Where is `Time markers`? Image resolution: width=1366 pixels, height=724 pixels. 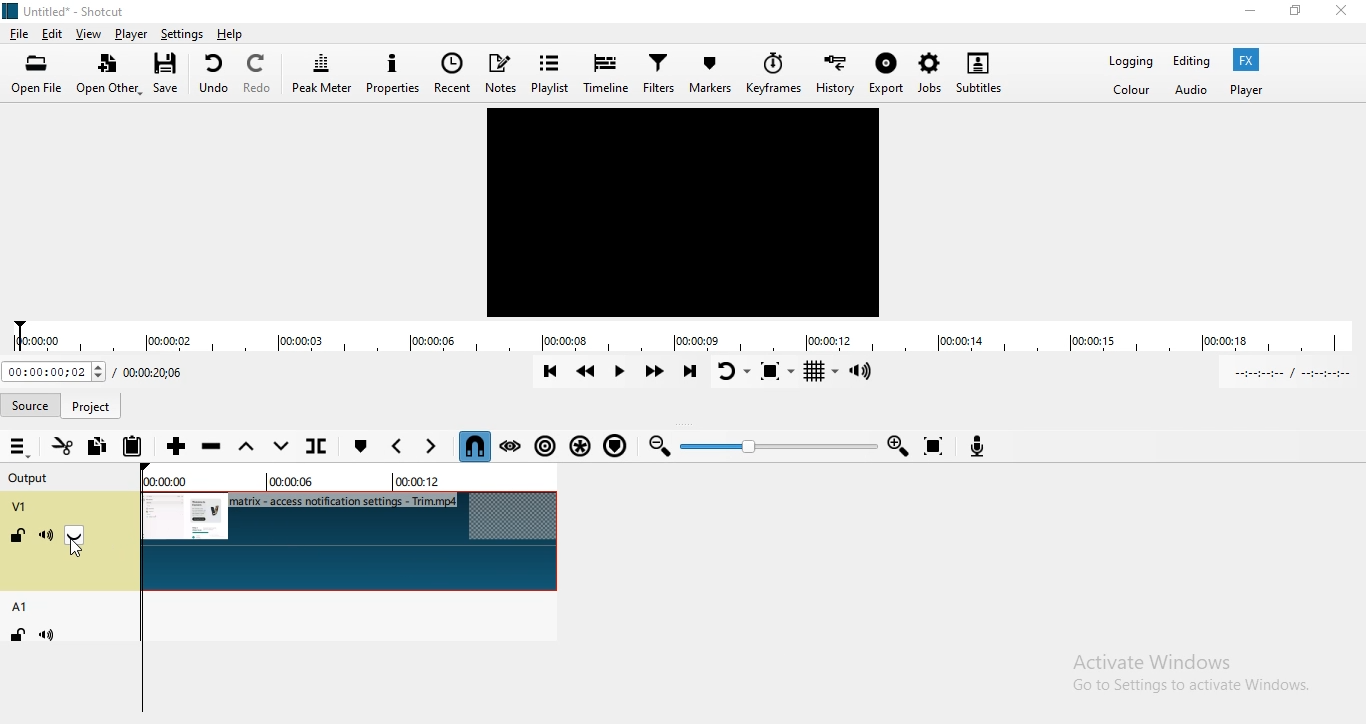
Time markers is located at coordinates (340, 481).